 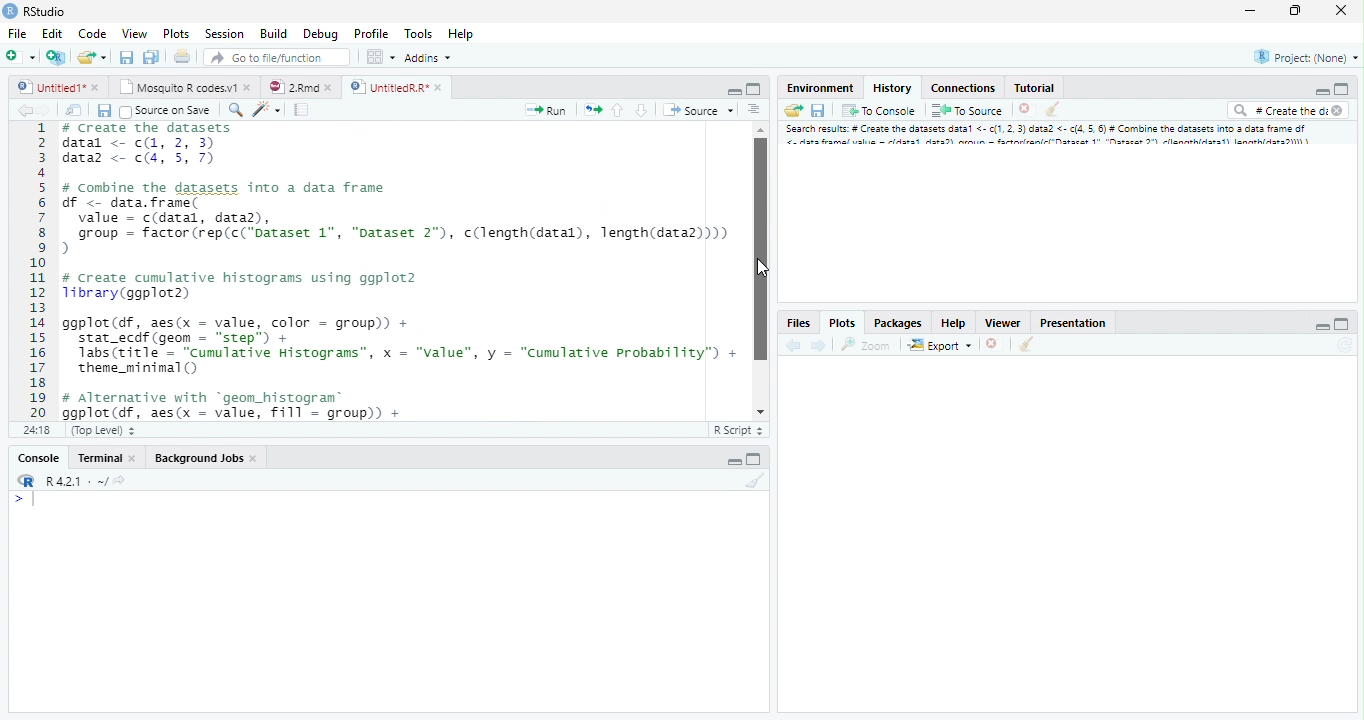 I want to click on Save, so click(x=126, y=57).